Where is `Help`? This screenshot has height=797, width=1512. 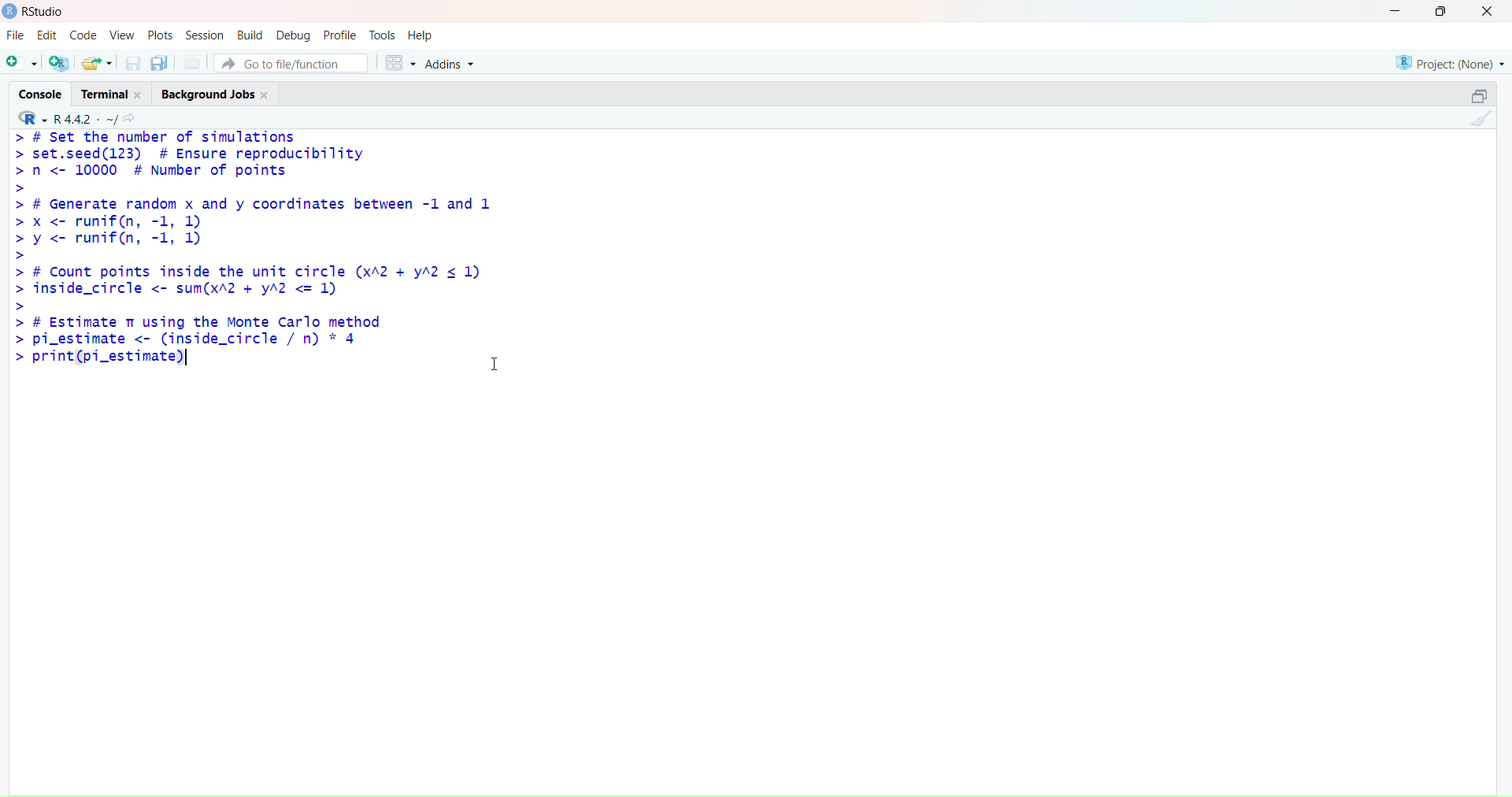 Help is located at coordinates (424, 34).